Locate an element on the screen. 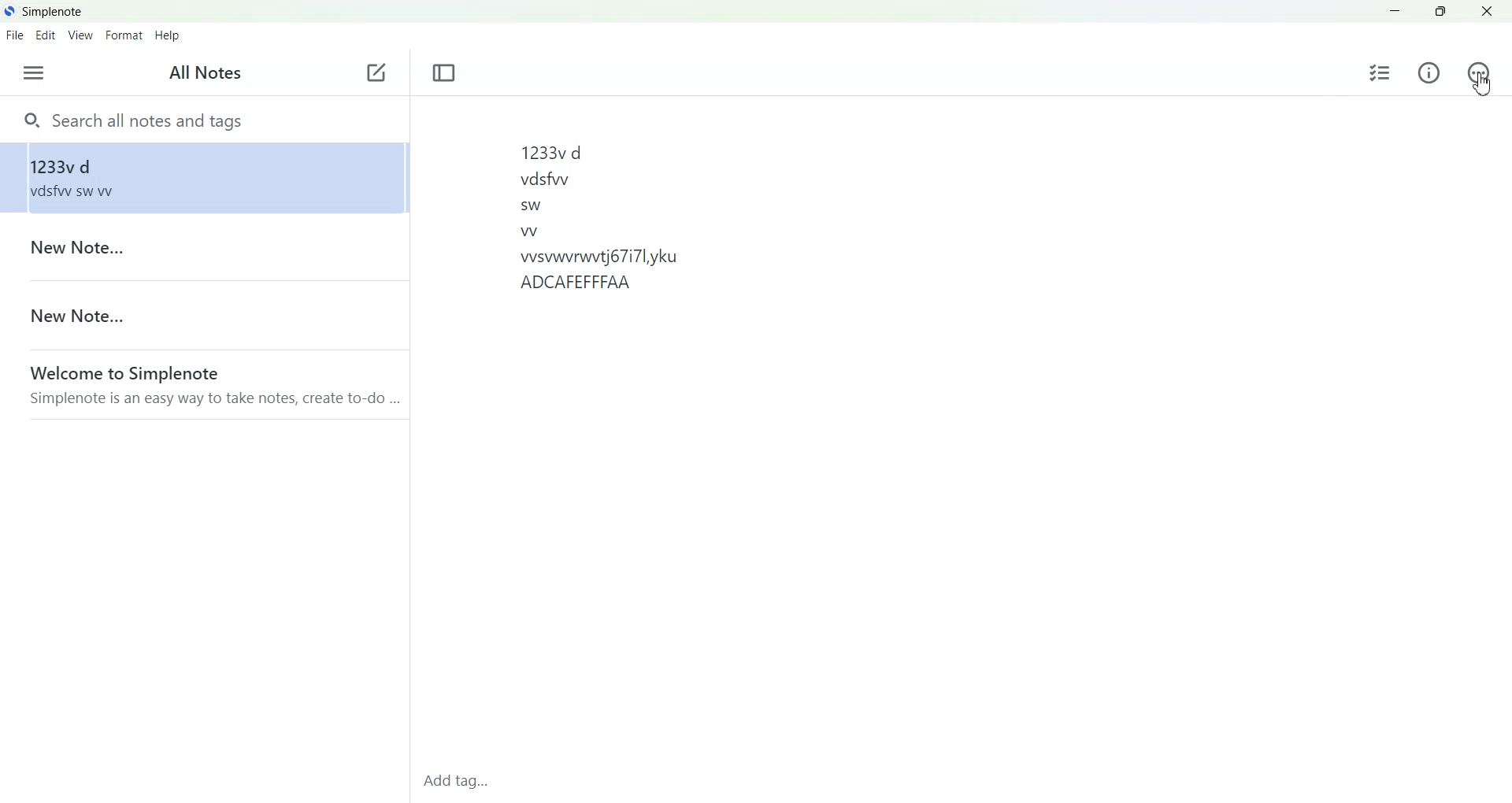 The height and width of the screenshot is (803, 1512). Format is located at coordinates (125, 35).